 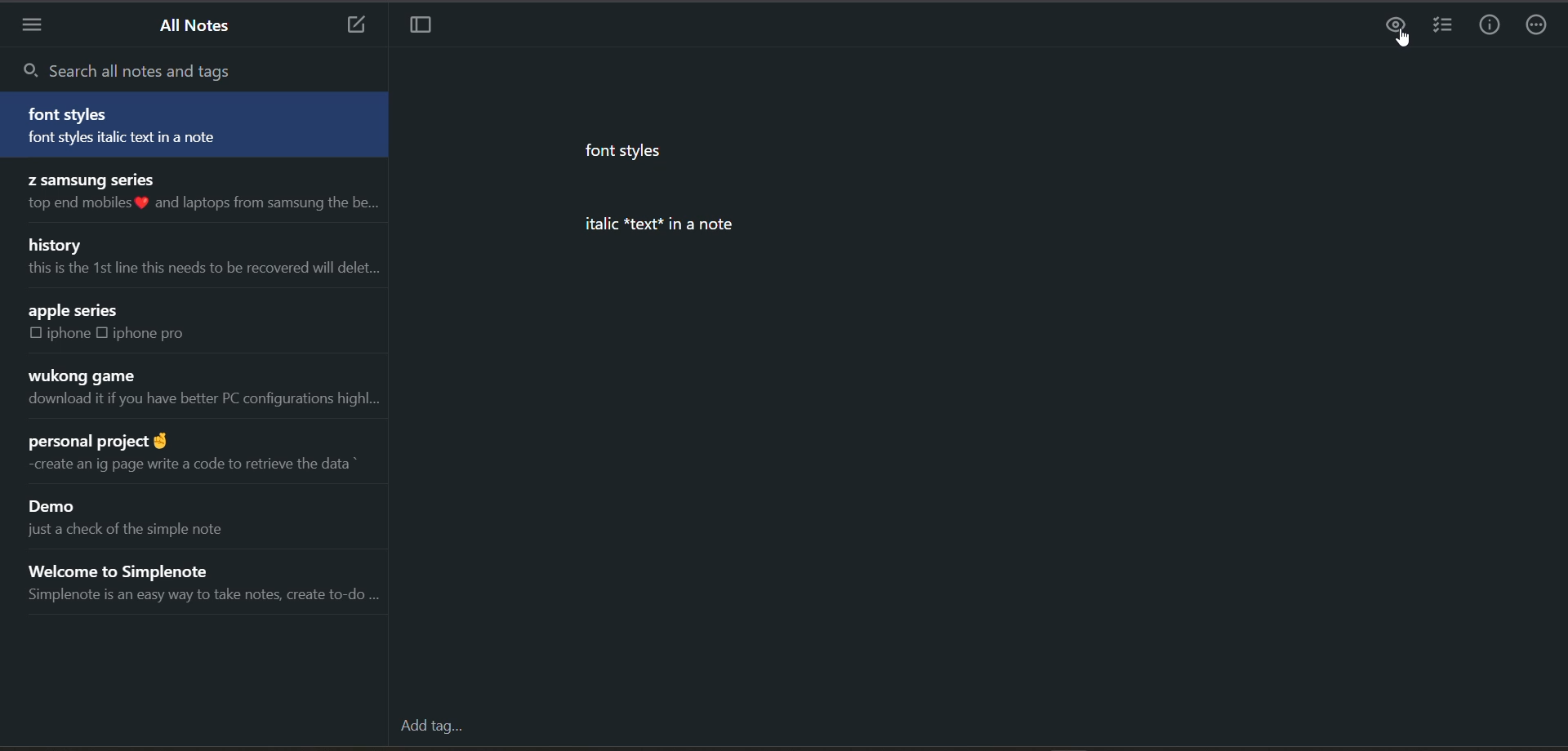 I want to click on search, so click(x=152, y=68).